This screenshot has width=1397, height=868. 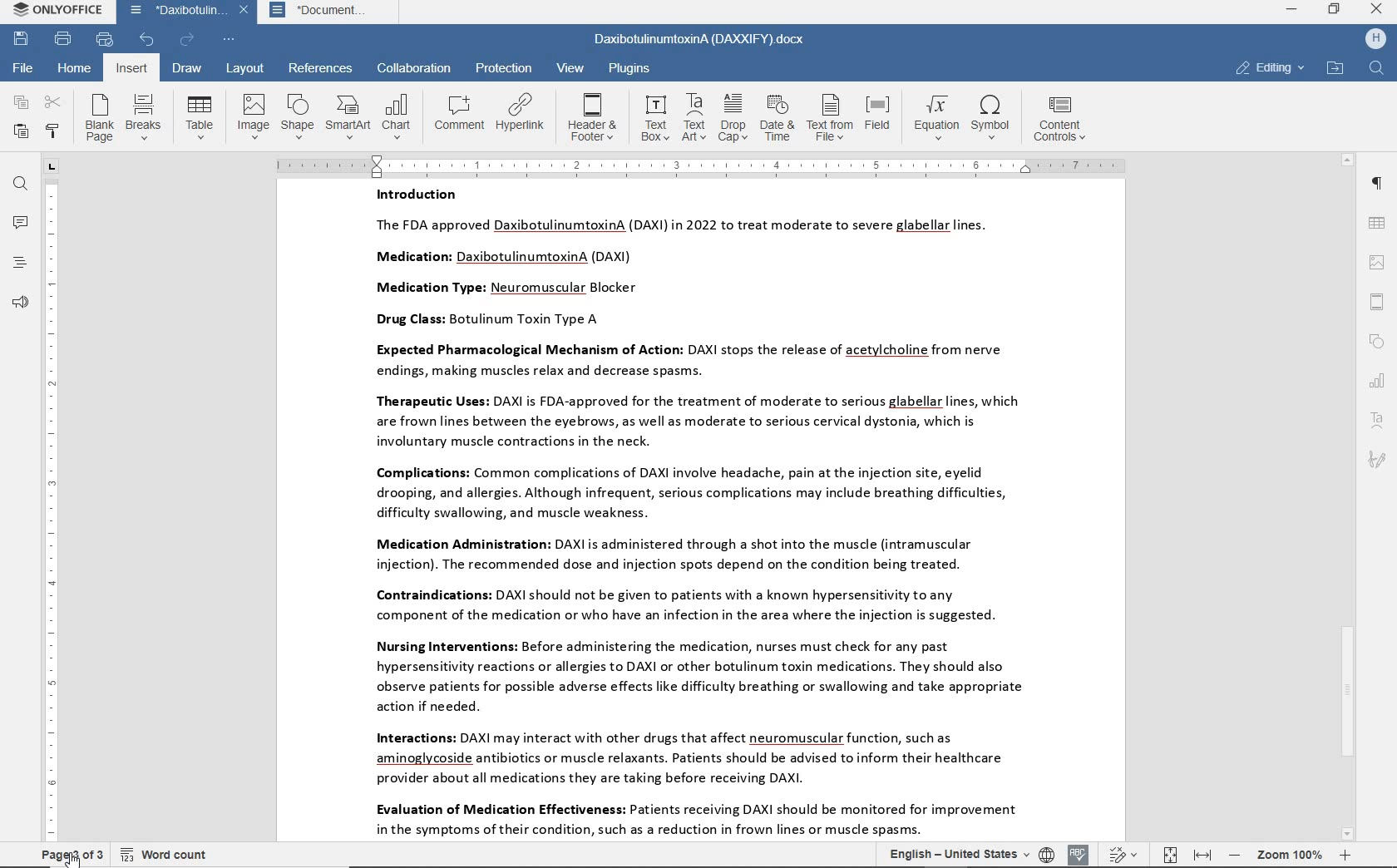 I want to click on set document language, so click(x=1046, y=854).